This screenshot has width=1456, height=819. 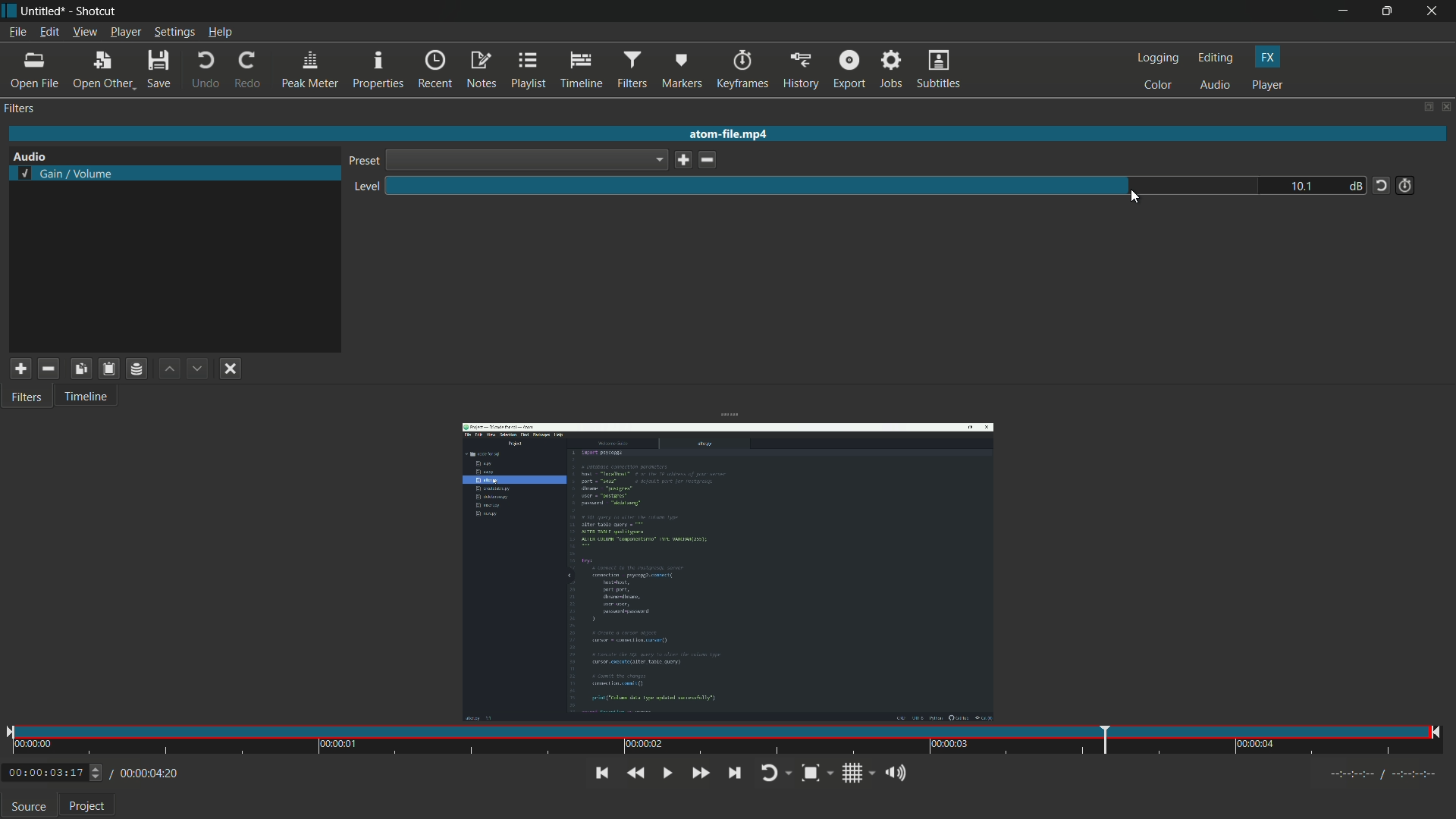 I want to click on toggle player looping, so click(x=775, y=774).